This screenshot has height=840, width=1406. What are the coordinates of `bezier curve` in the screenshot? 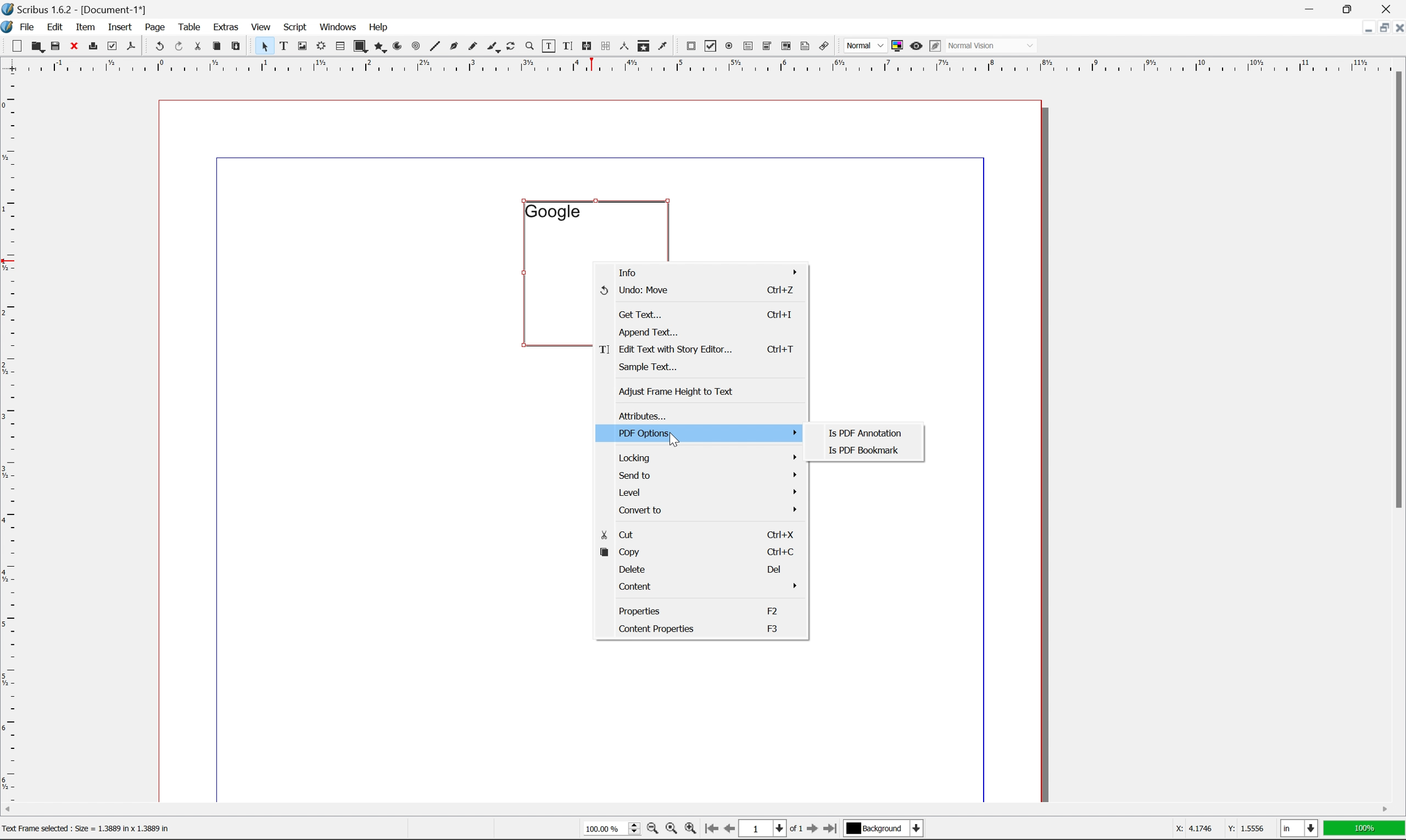 It's located at (454, 46).